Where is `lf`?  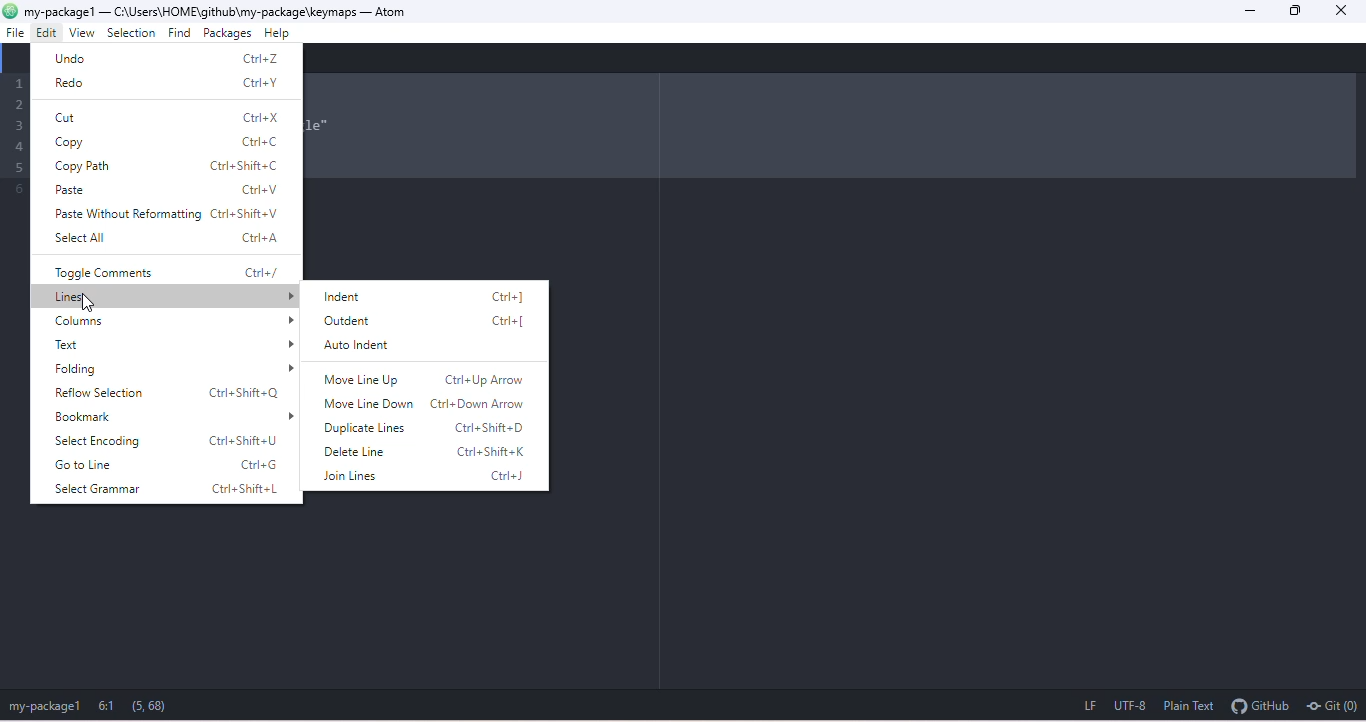 lf is located at coordinates (1081, 707).